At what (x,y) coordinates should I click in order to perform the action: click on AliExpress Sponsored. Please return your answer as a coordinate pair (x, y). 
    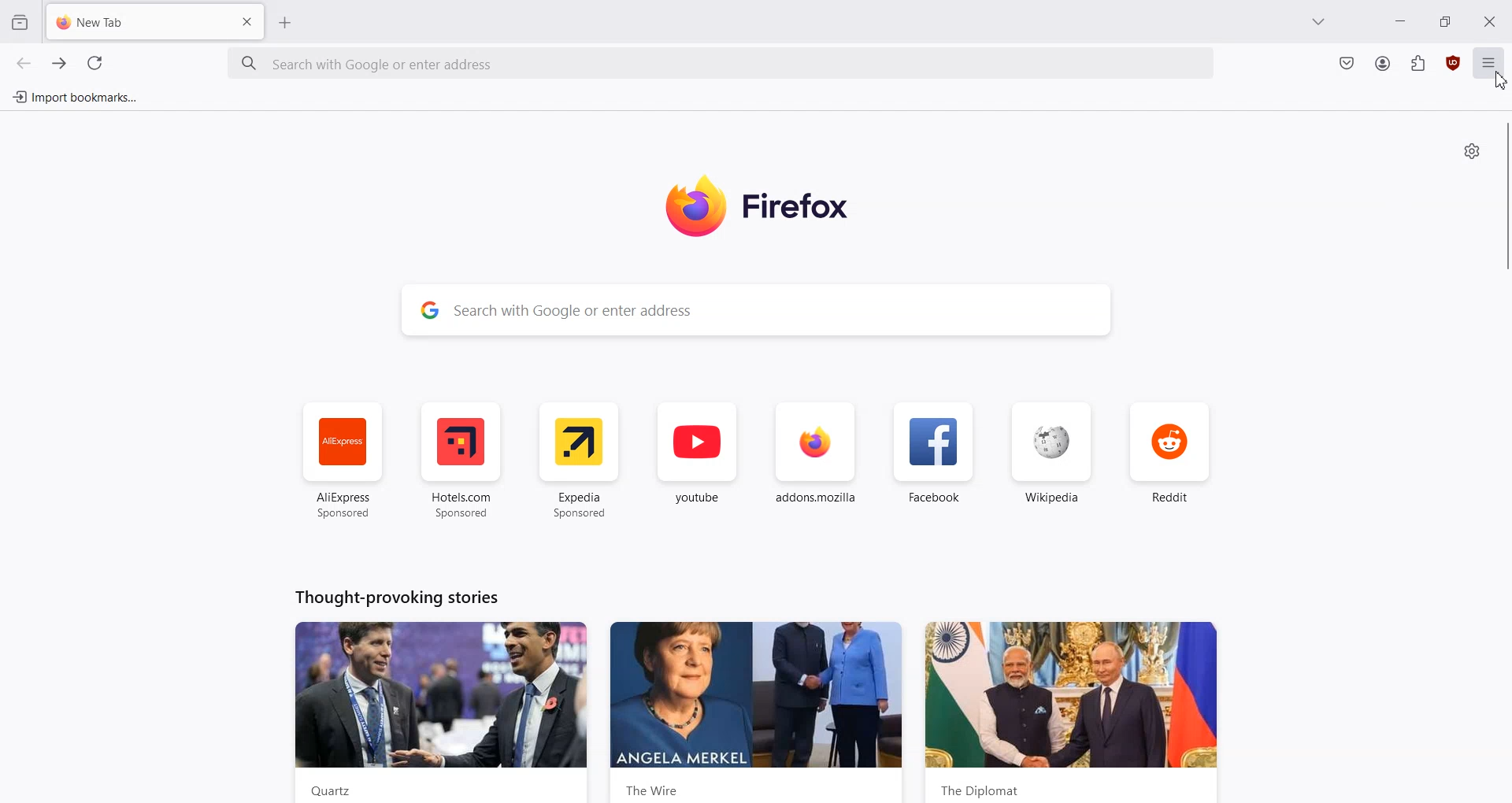
    Looking at the image, I should click on (339, 461).